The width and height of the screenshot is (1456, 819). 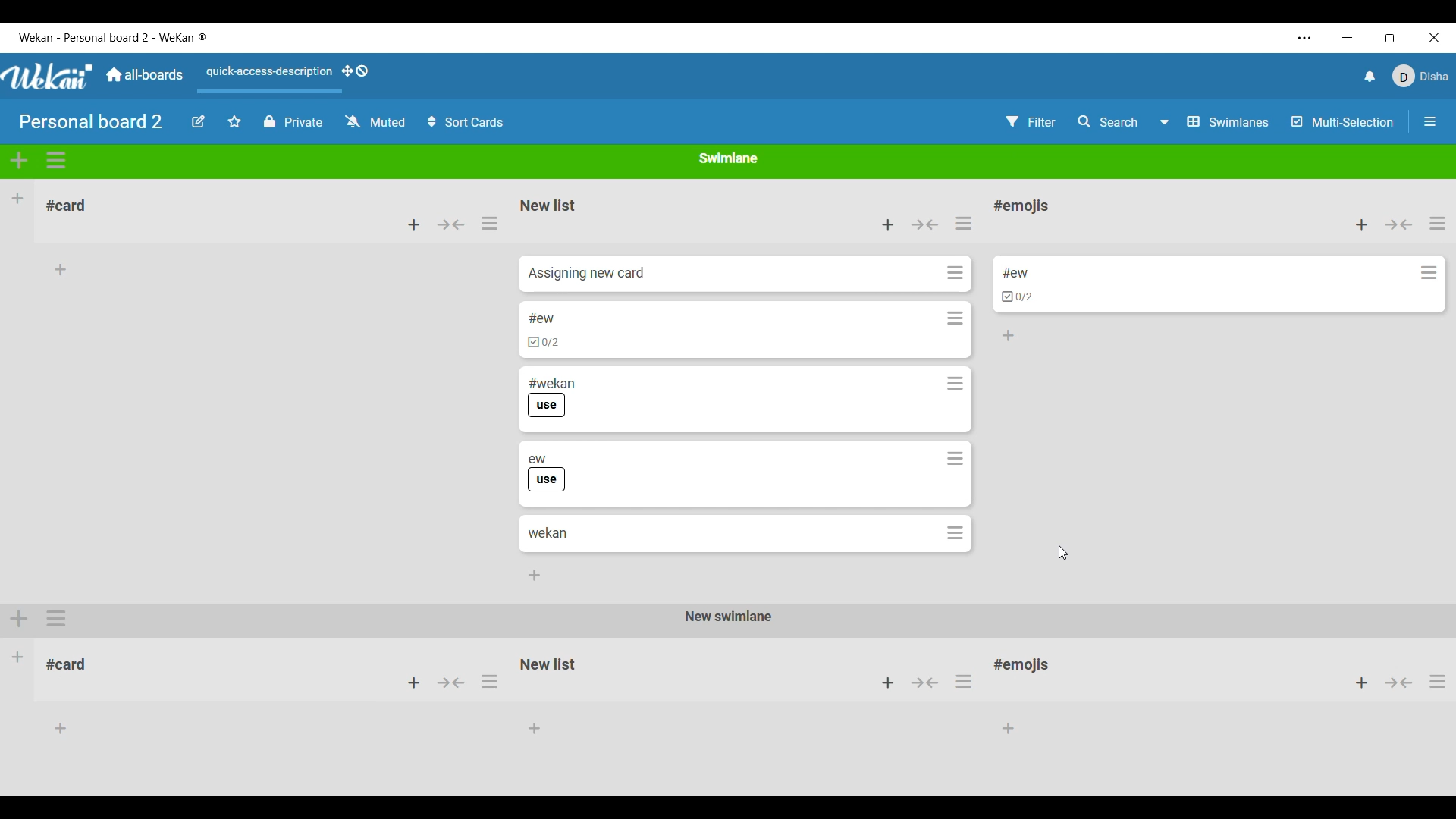 I want to click on Card actions, so click(x=955, y=272).